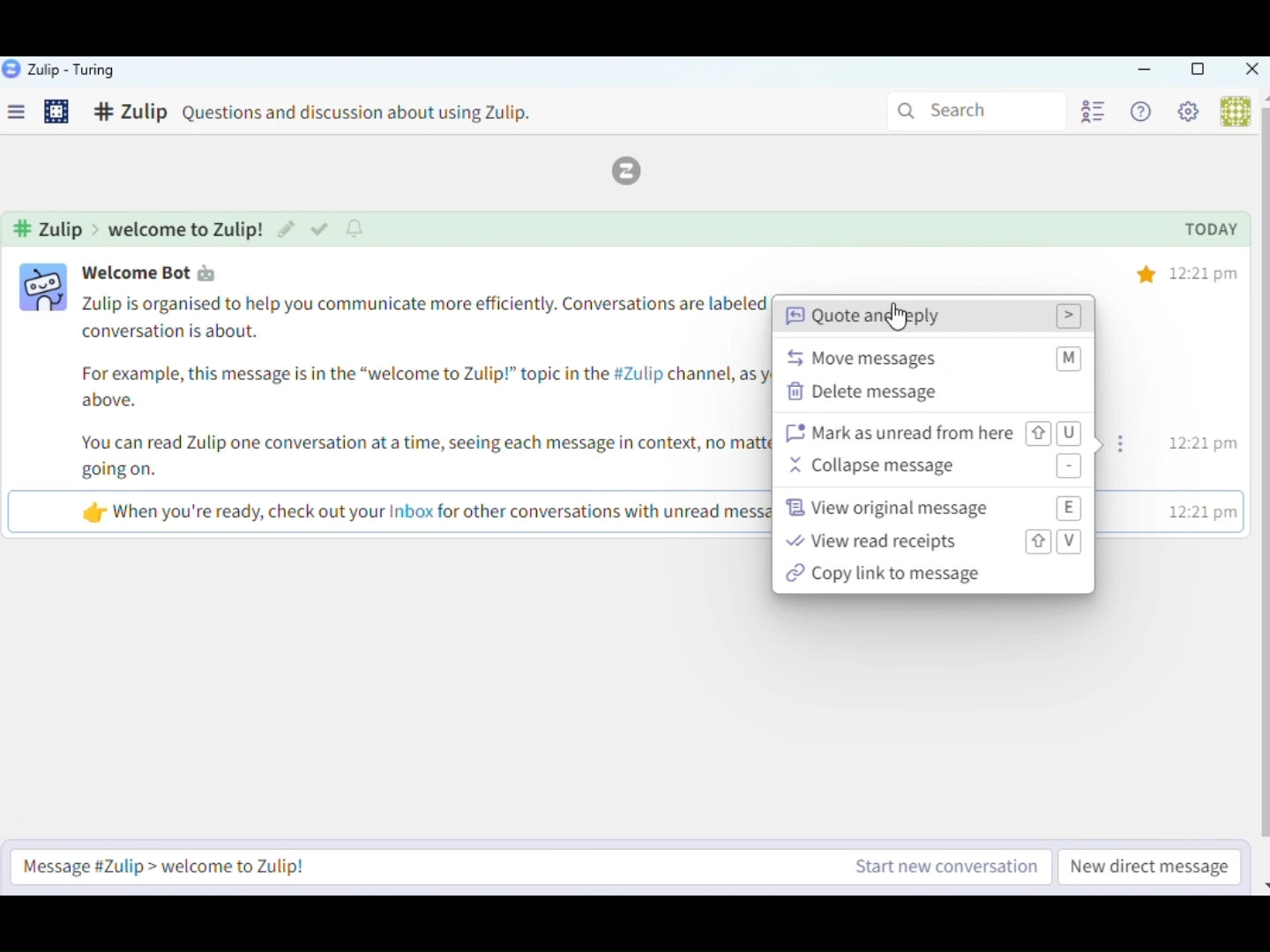 The width and height of the screenshot is (1270, 952). Describe the element at coordinates (1206, 393) in the screenshot. I see `time` at that location.